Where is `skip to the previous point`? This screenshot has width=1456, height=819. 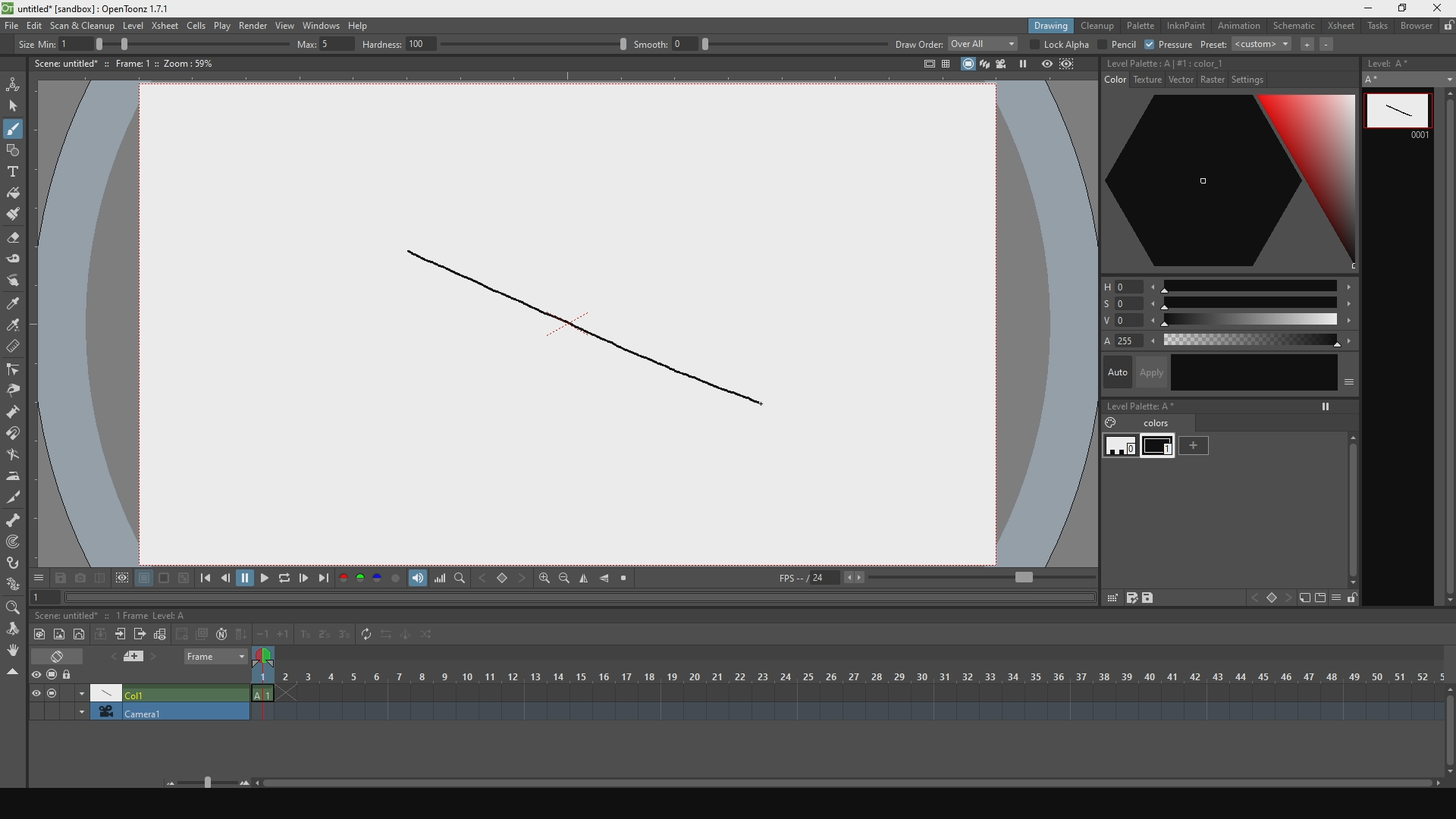 skip to the previous point is located at coordinates (203, 579).